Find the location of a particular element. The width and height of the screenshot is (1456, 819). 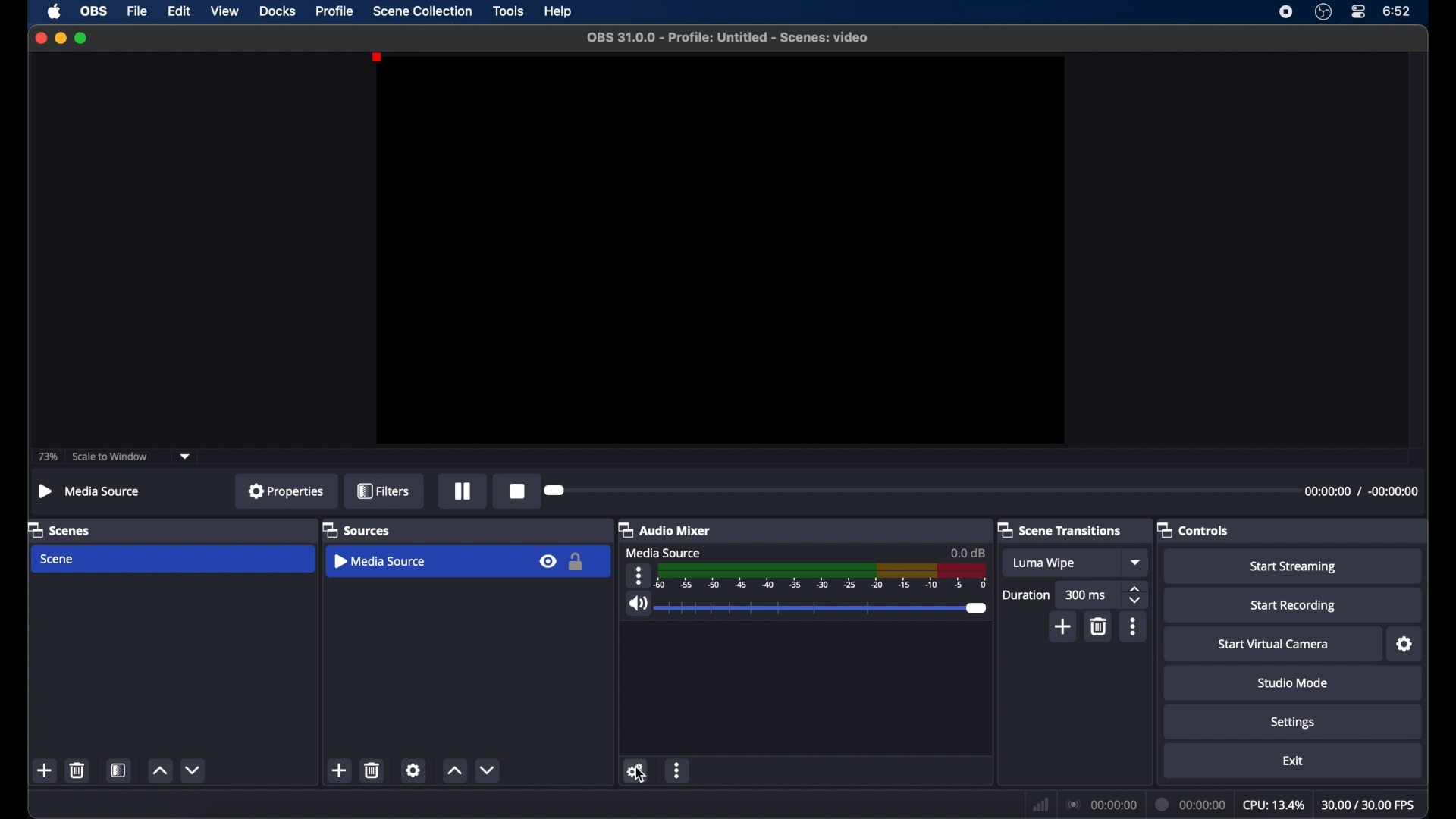

minimize is located at coordinates (60, 37).